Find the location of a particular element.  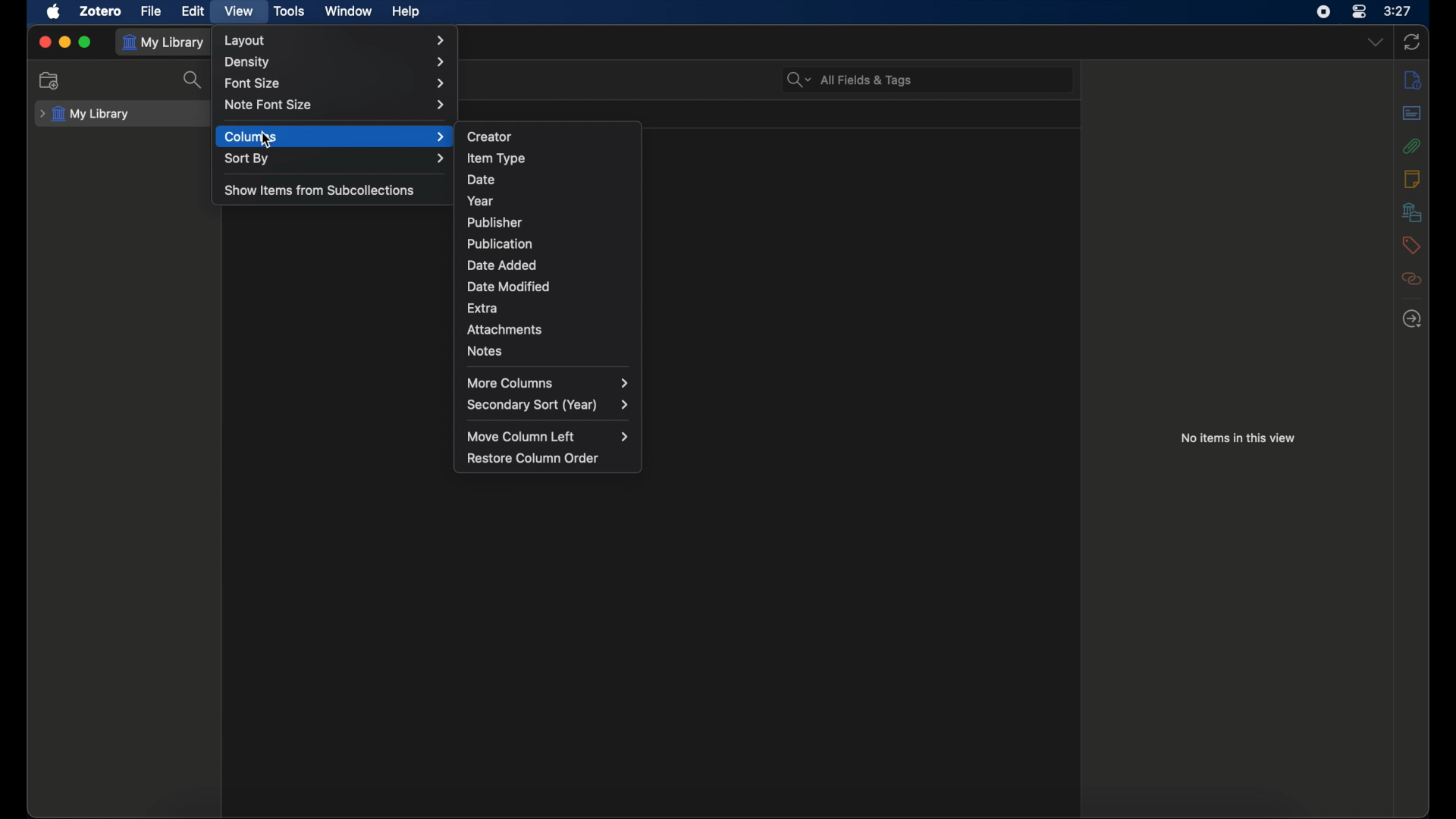

no items in this view is located at coordinates (1238, 438).